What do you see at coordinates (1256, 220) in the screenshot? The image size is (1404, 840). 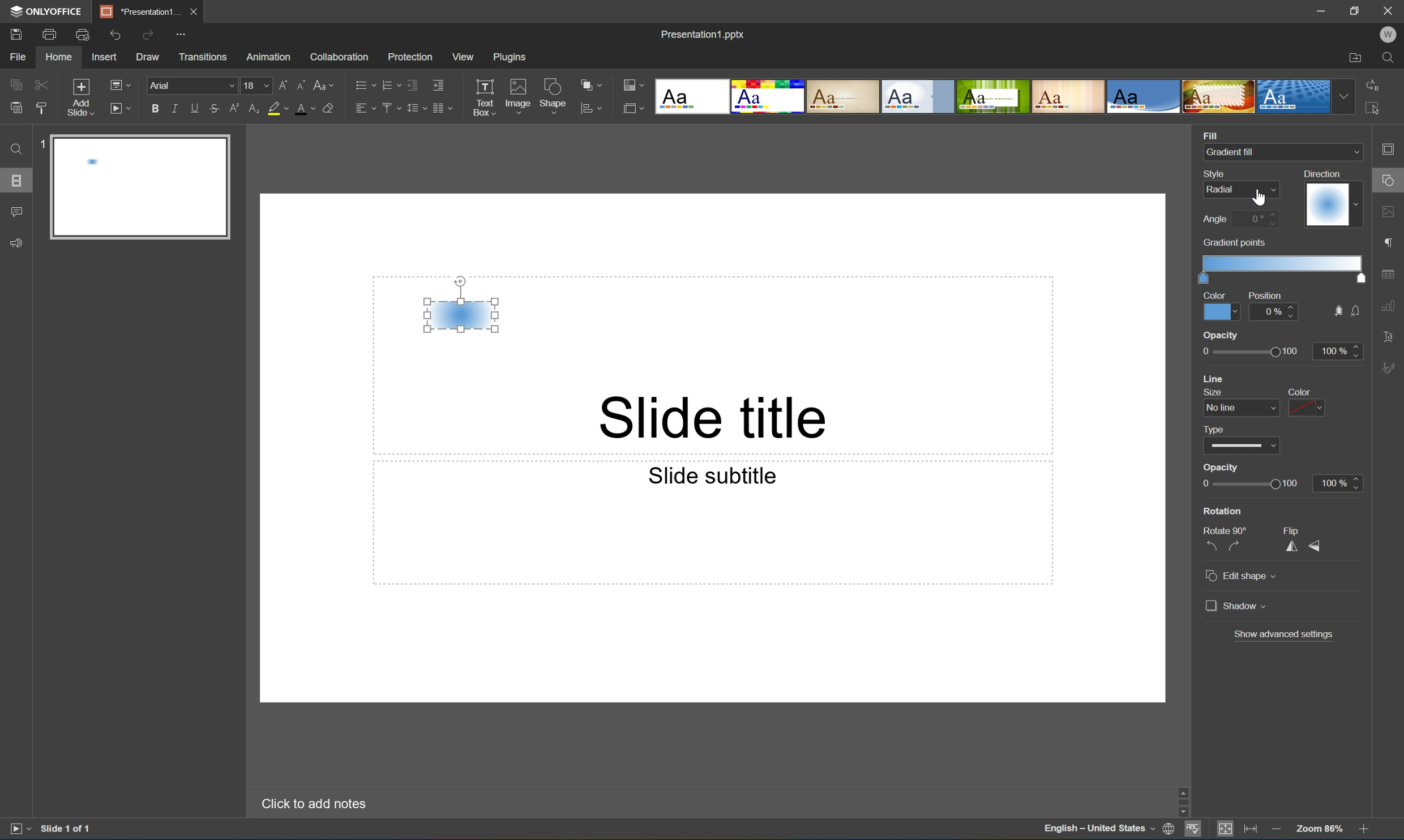 I see `0 degrees` at bounding box center [1256, 220].